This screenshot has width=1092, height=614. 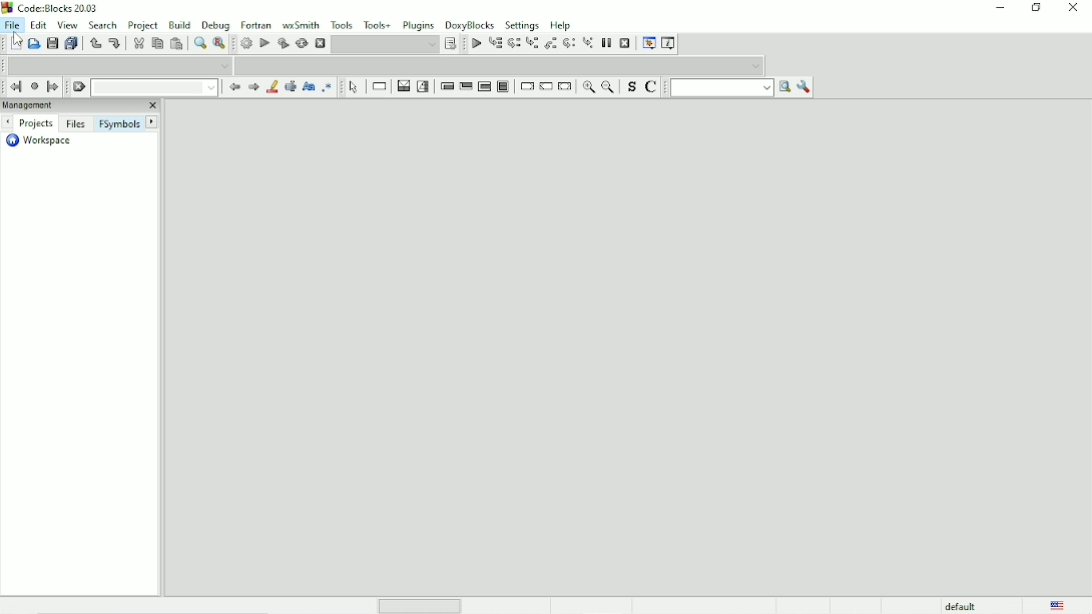 What do you see at coordinates (495, 44) in the screenshot?
I see `Run to cursor` at bounding box center [495, 44].